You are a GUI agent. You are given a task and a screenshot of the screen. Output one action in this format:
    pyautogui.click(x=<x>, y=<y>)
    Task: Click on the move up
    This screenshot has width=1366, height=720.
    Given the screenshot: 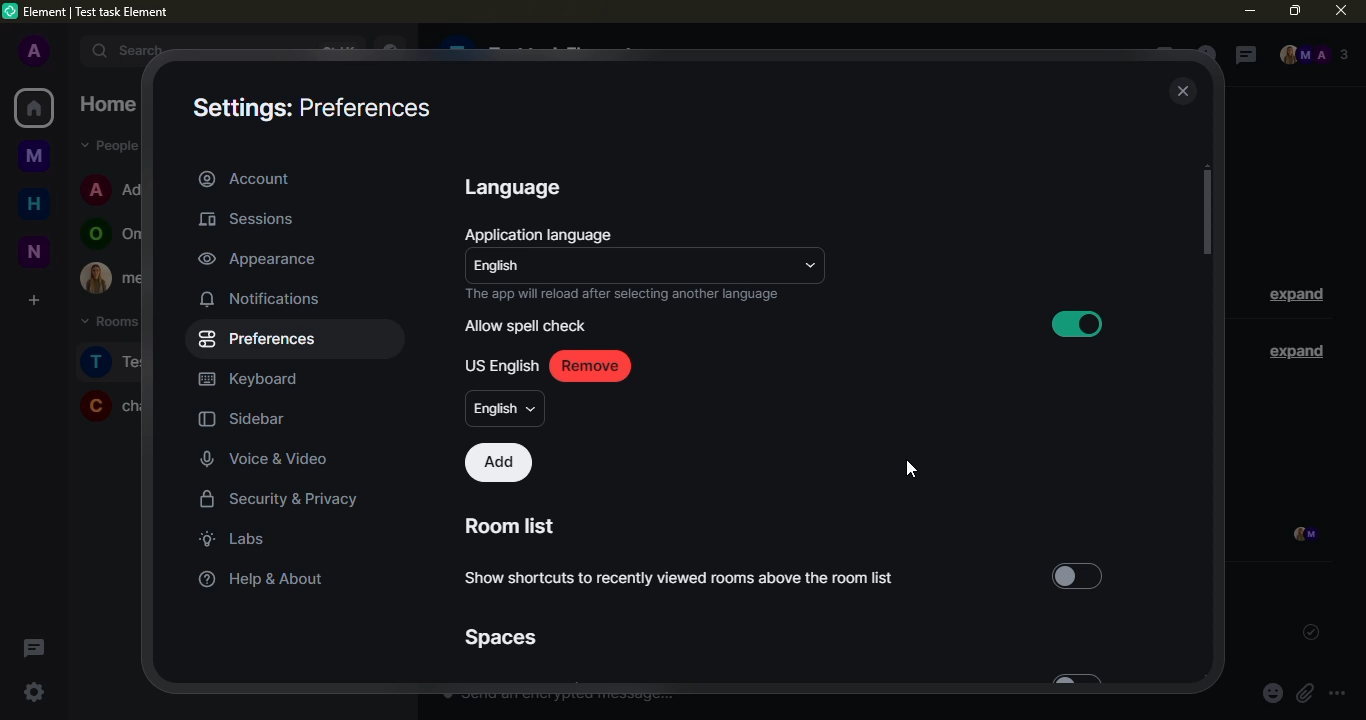 What is the action you would take?
    pyautogui.click(x=1206, y=166)
    